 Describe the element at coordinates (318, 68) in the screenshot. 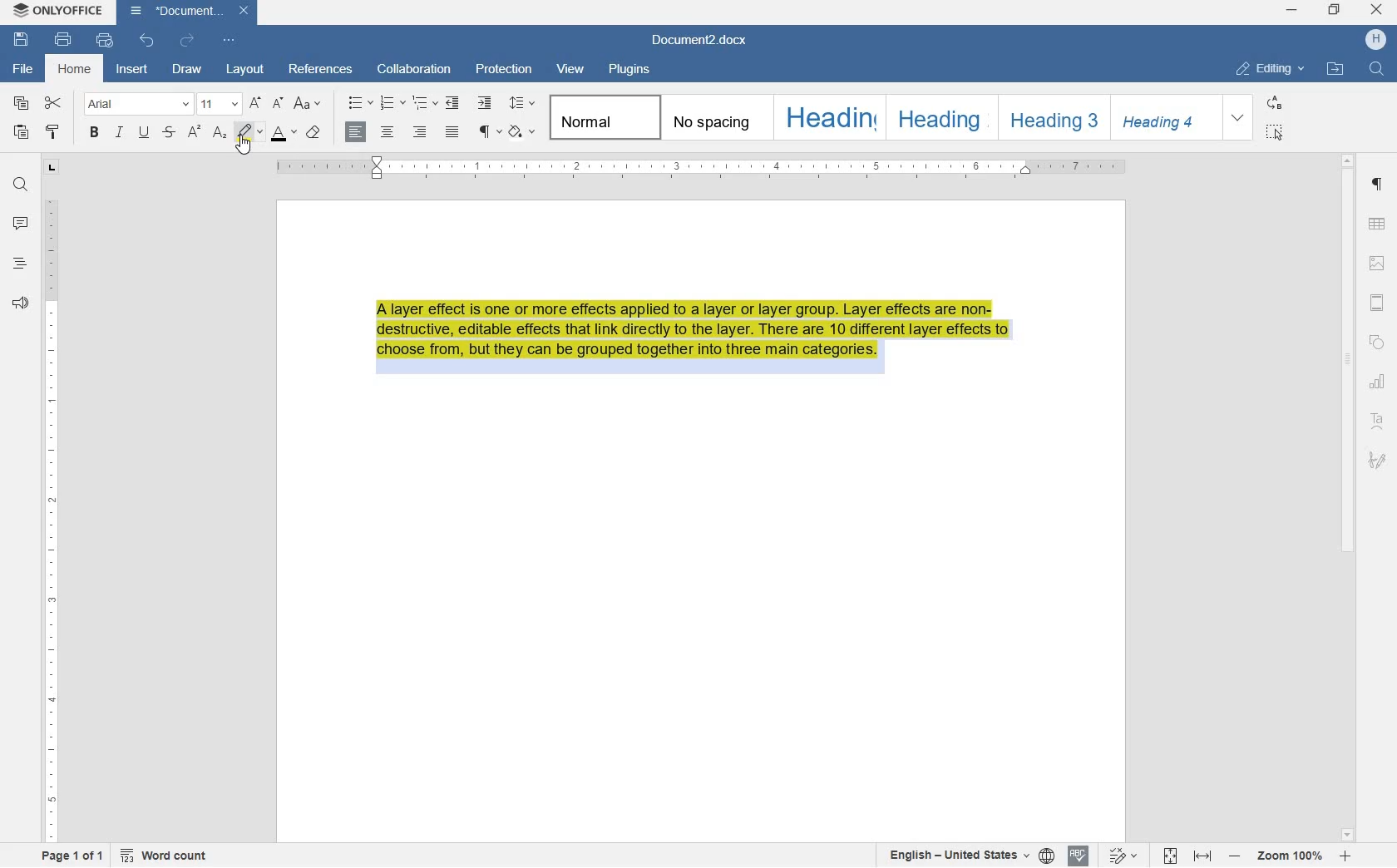

I see `REFERENCES` at that location.